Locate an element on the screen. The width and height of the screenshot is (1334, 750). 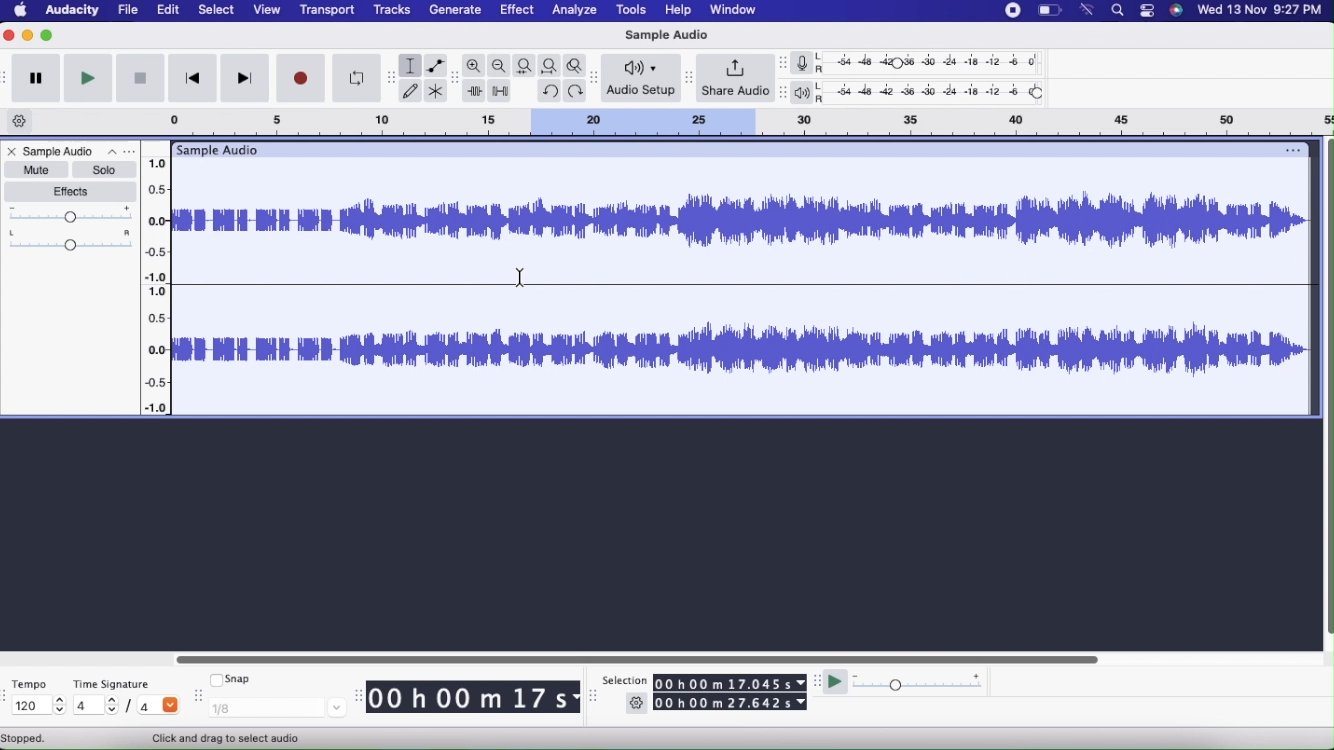
Playback speed is located at coordinates (920, 684).